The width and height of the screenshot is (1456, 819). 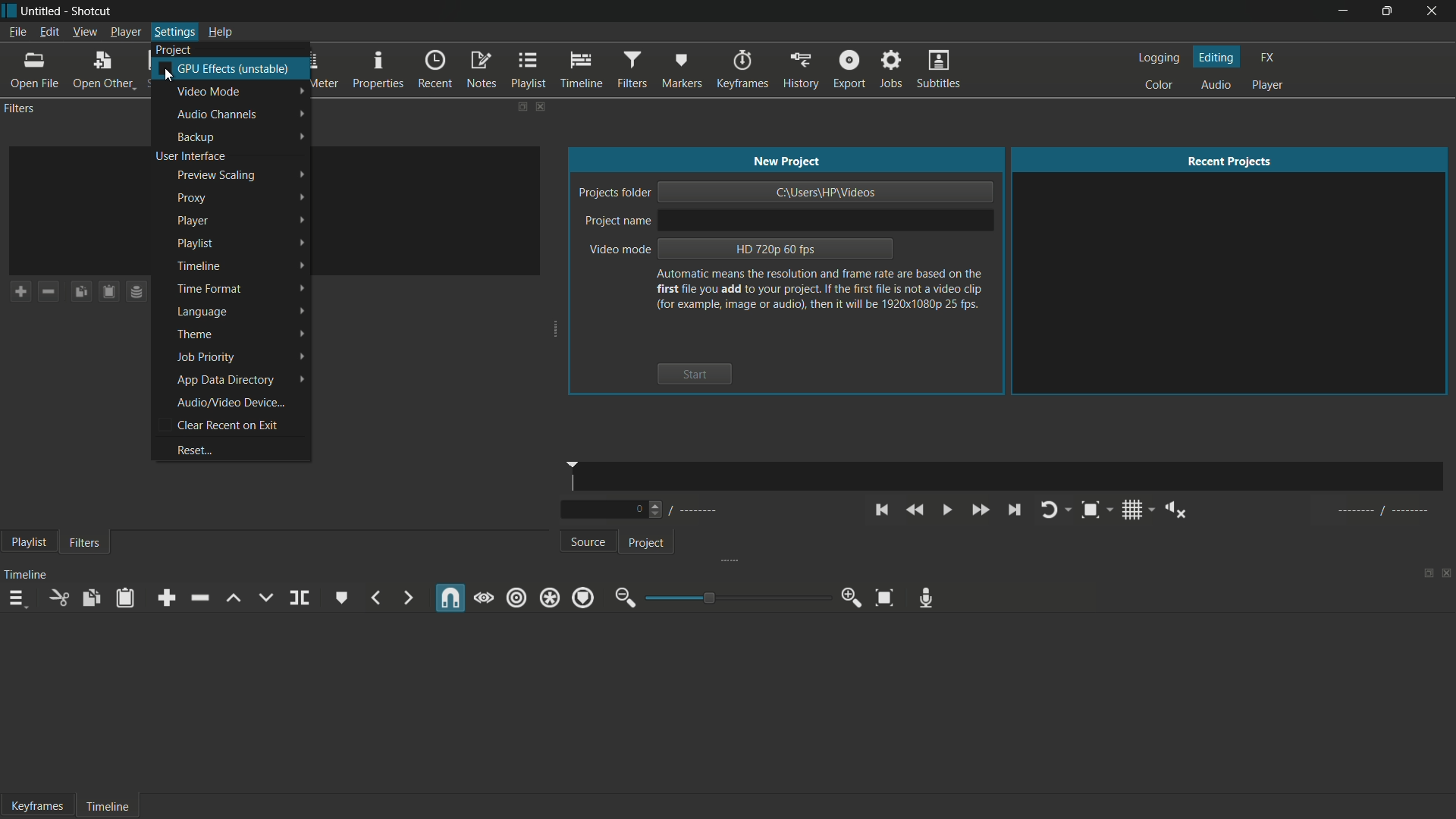 What do you see at coordinates (645, 544) in the screenshot?
I see `project` at bounding box center [645, 544].